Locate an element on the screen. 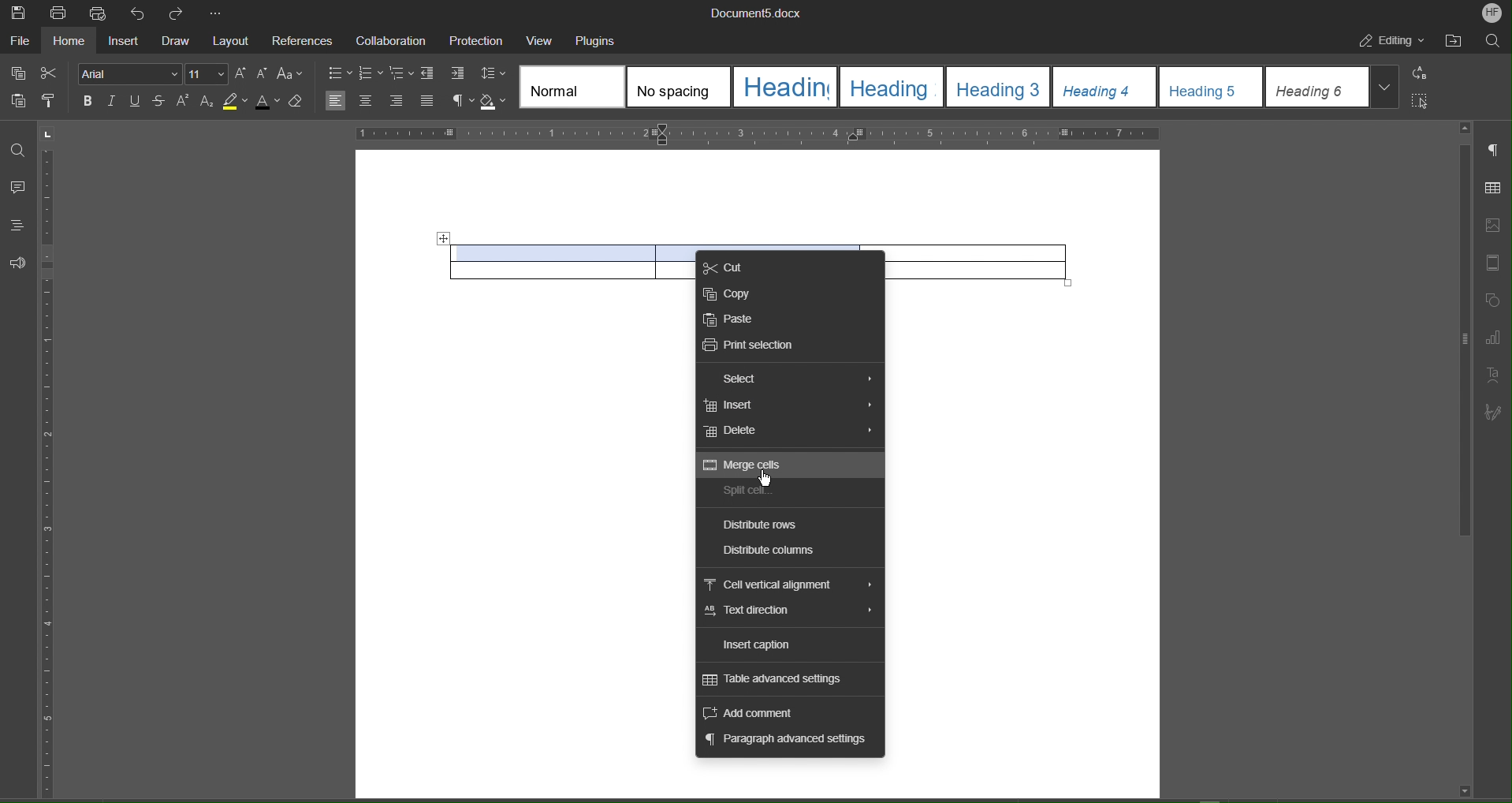 This screenshot has height=803, width=1512. Quick Print is located at coordinates (102, 14).